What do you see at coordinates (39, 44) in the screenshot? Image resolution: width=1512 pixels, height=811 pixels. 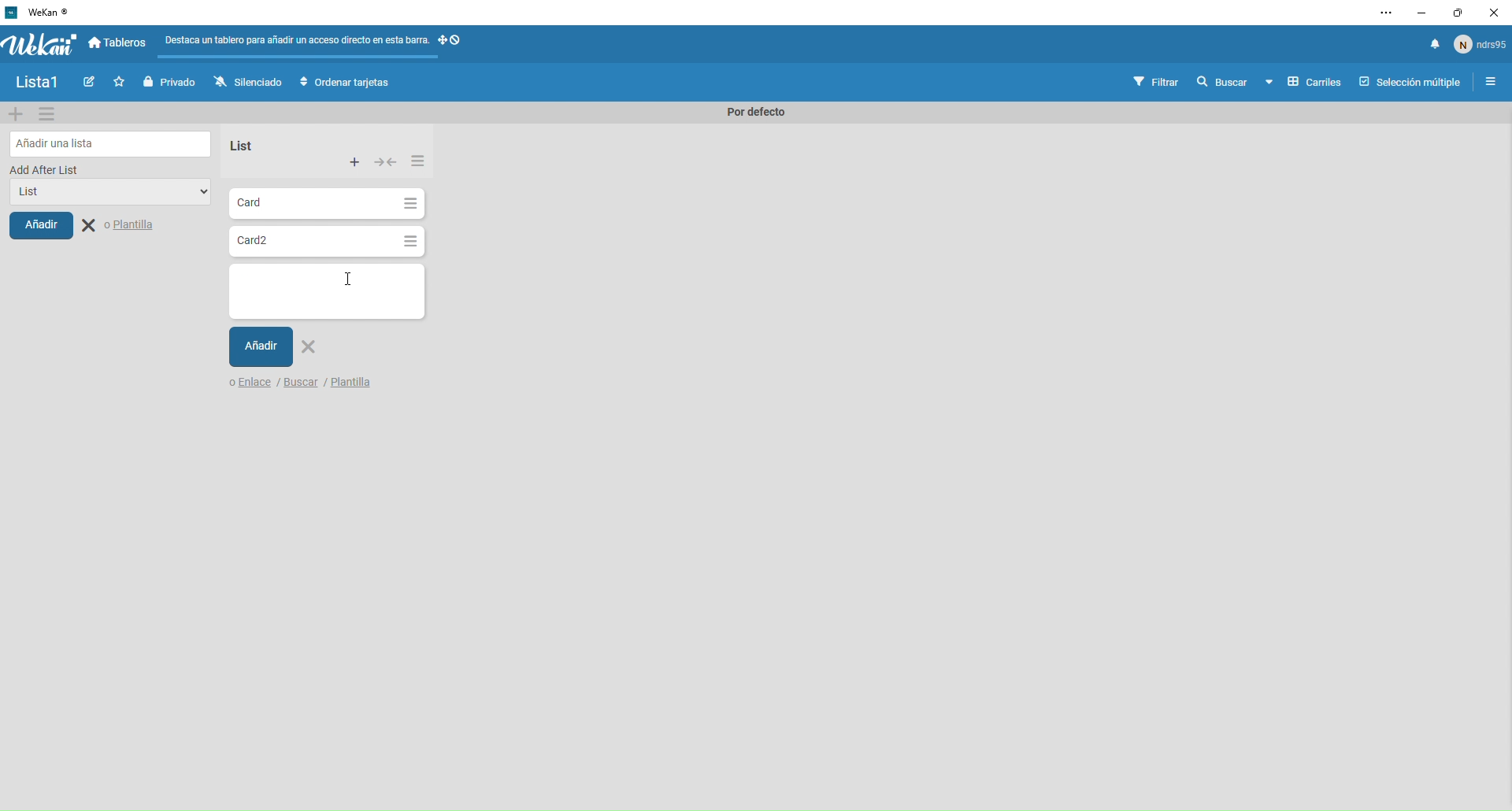 I see `Wekan` at bounding box center [39, 44].